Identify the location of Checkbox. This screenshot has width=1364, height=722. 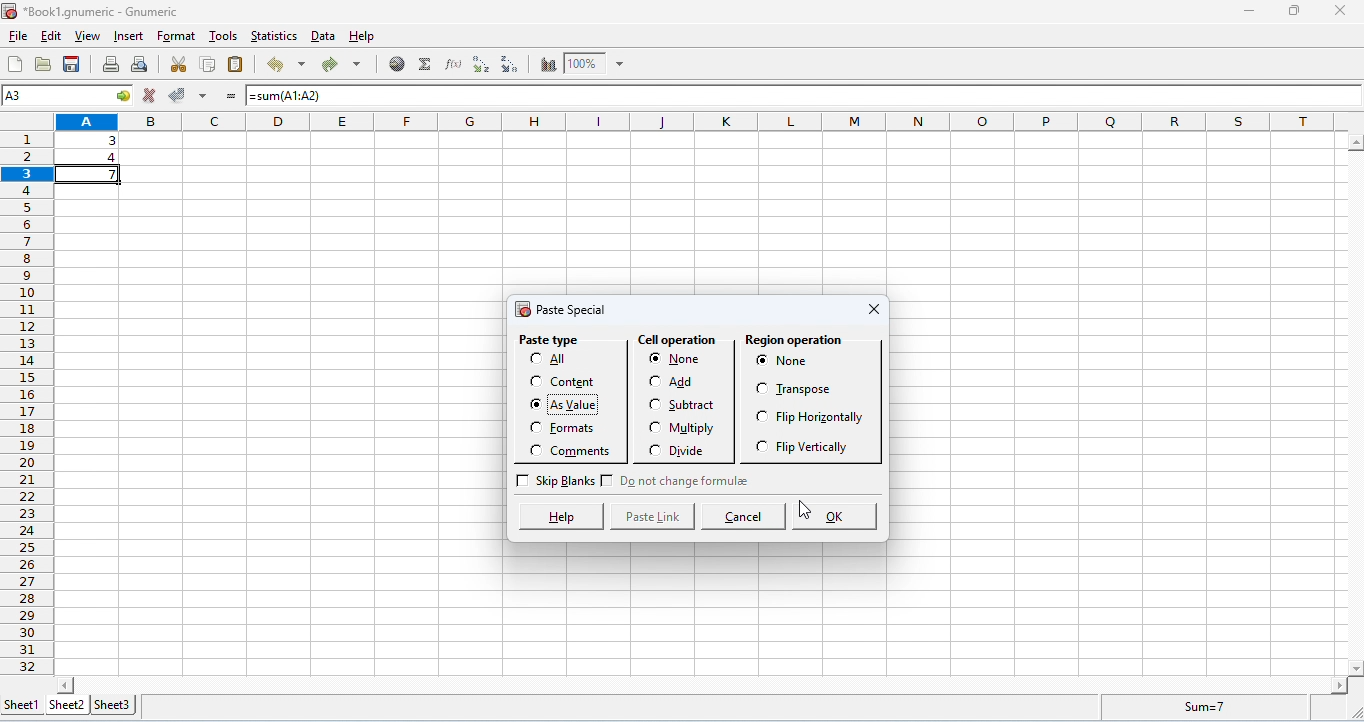
(760, 387).